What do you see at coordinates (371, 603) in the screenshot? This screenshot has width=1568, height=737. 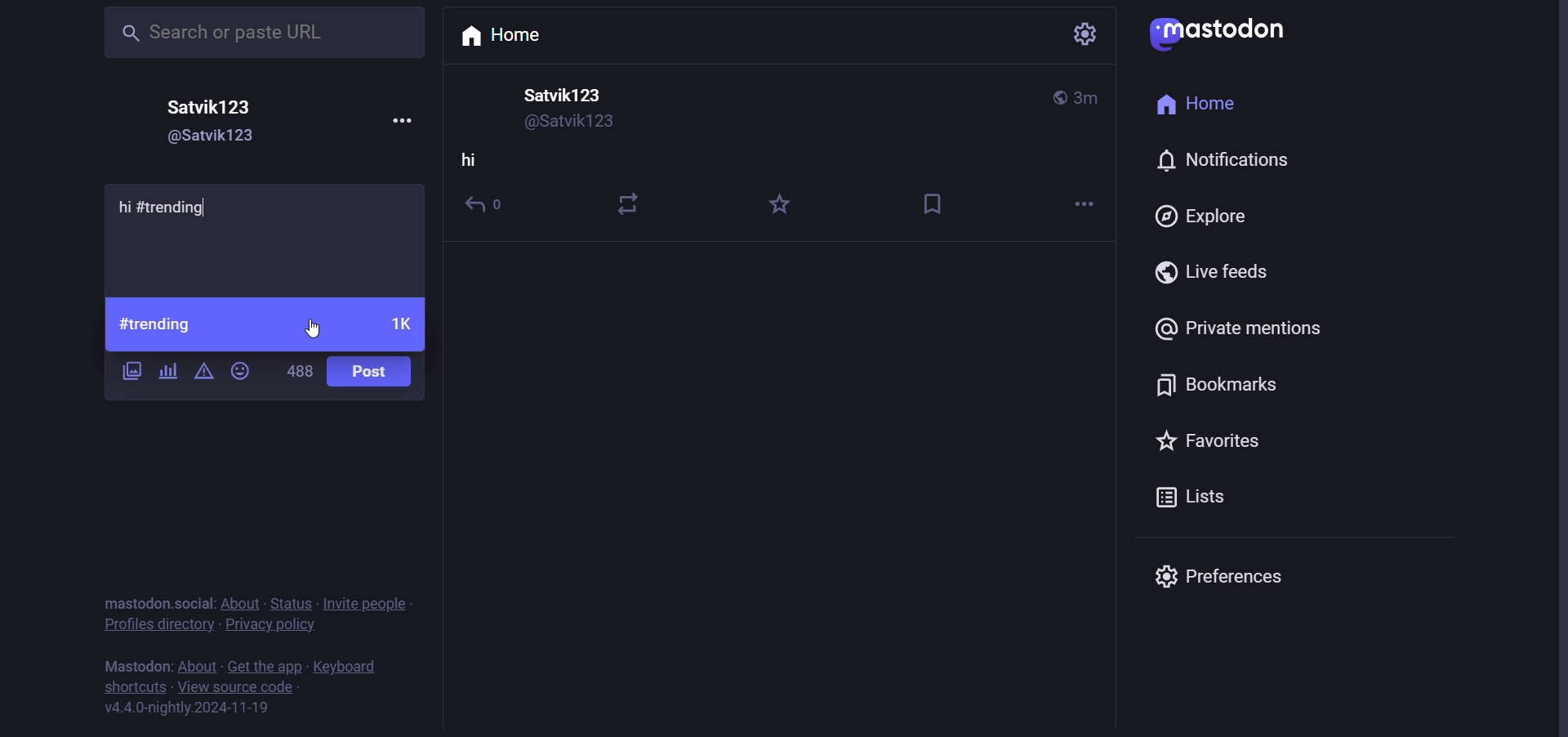 I see `invite people` at bounding box center [371, 603].